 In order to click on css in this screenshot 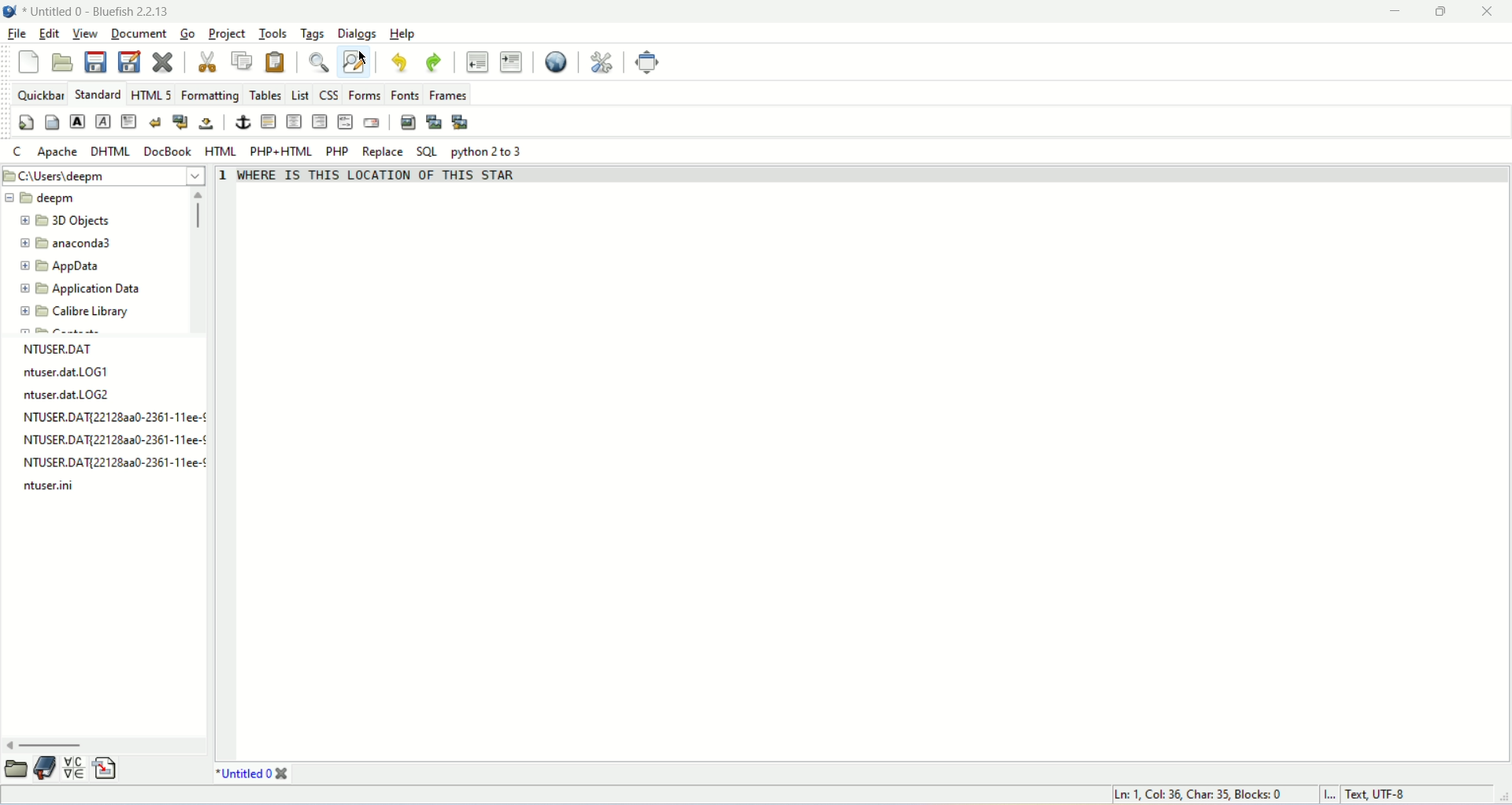, I will do `click(330, 96)`.